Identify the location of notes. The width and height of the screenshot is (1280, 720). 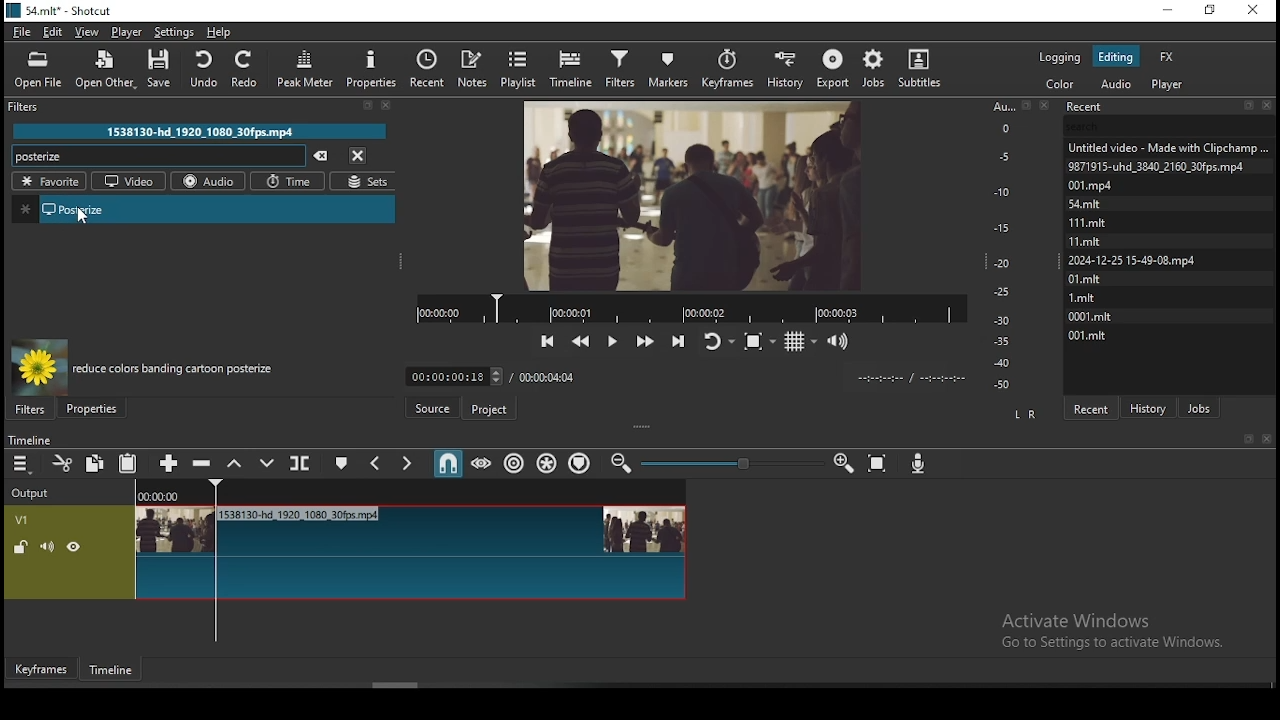
(475, 68).